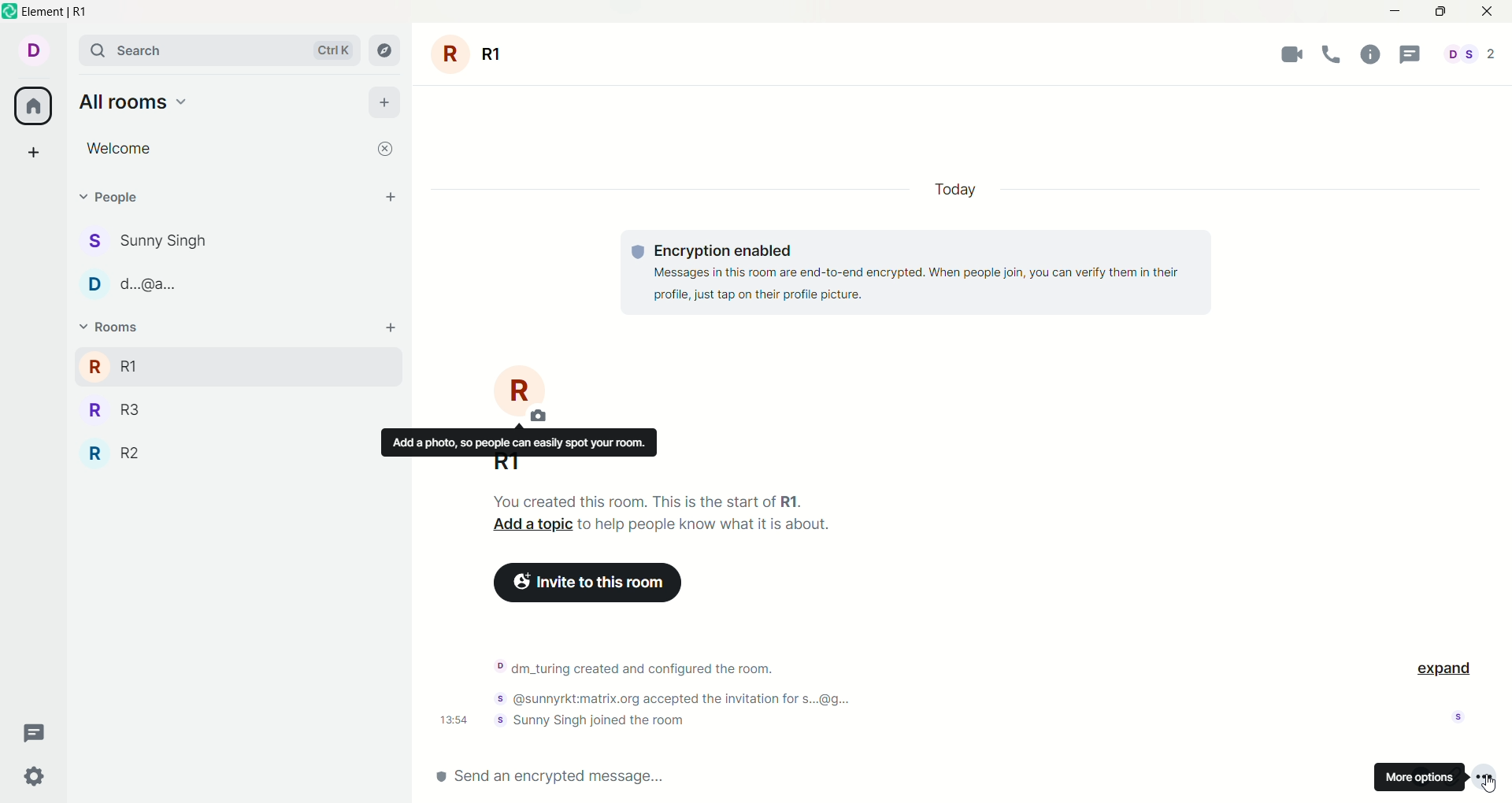 The image size is (1512, 803). Describe the element at coordinates (1410, 54) in the screenshot. I see `threads` at that location.